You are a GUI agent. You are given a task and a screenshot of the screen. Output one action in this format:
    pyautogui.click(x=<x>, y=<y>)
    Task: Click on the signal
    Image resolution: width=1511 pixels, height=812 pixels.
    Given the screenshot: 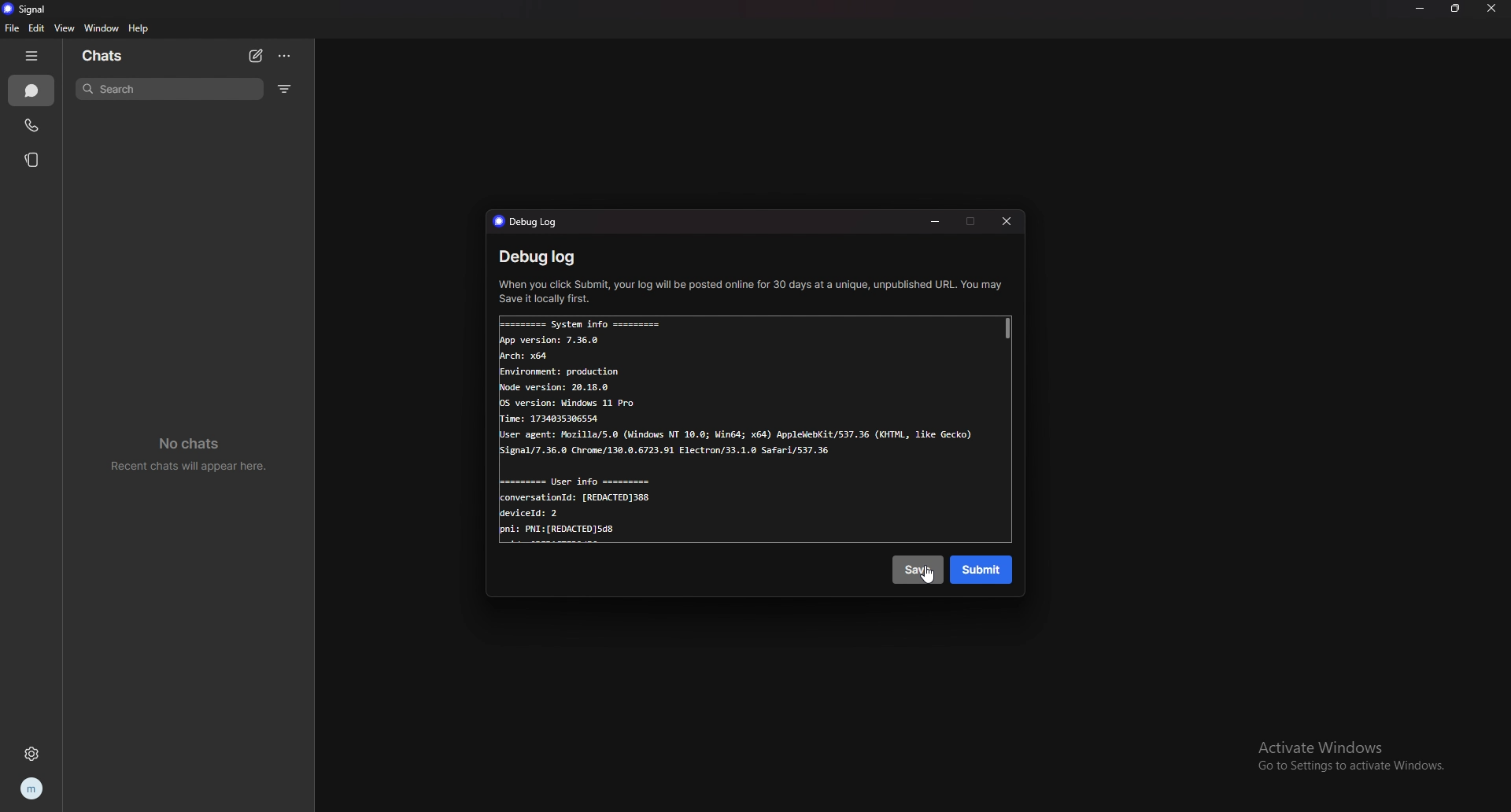 What is the action you would take?
    pyautogui.click(x=30, y=9)
    